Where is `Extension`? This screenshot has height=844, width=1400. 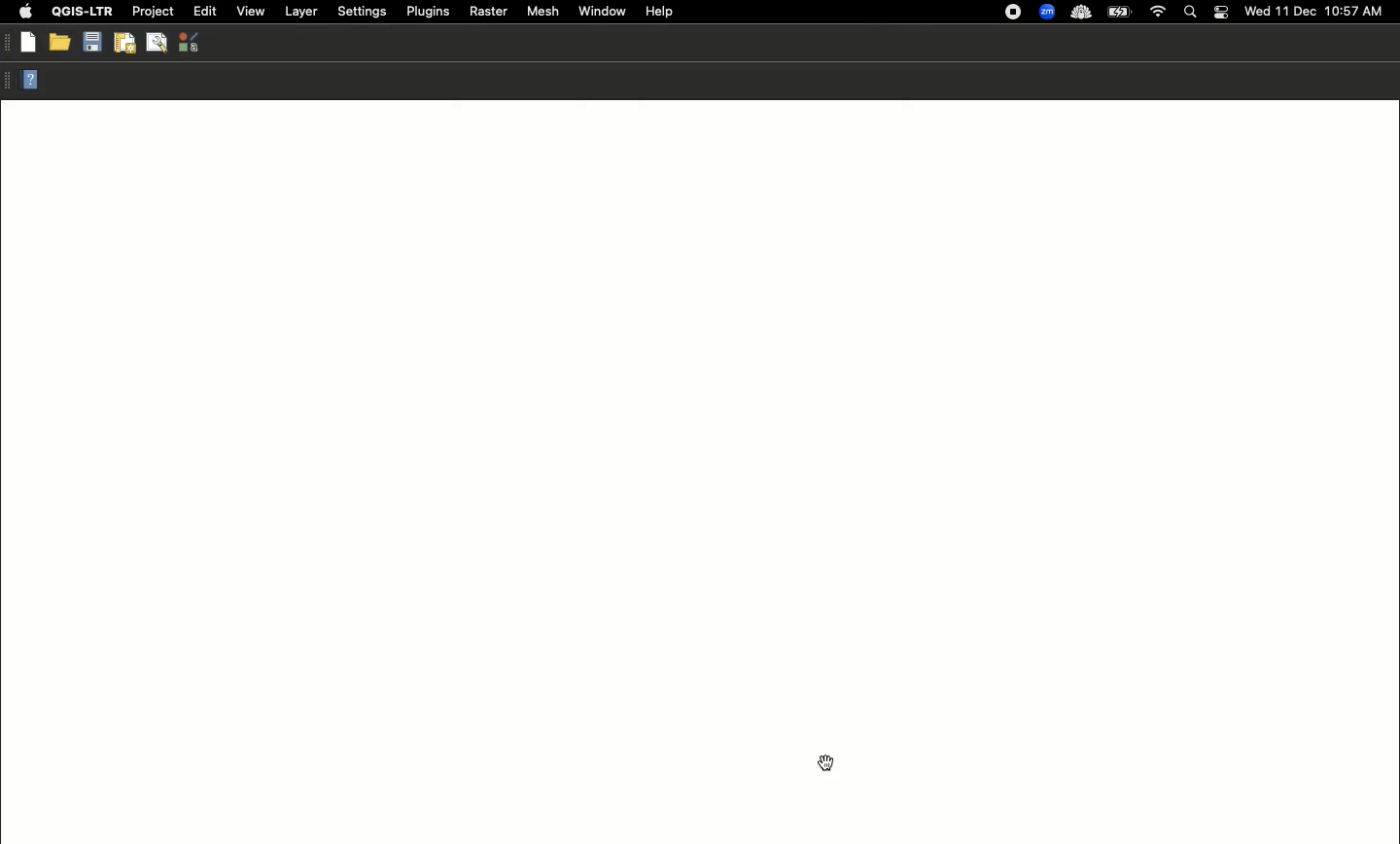
Extension is located at coordinates (1083, 14).